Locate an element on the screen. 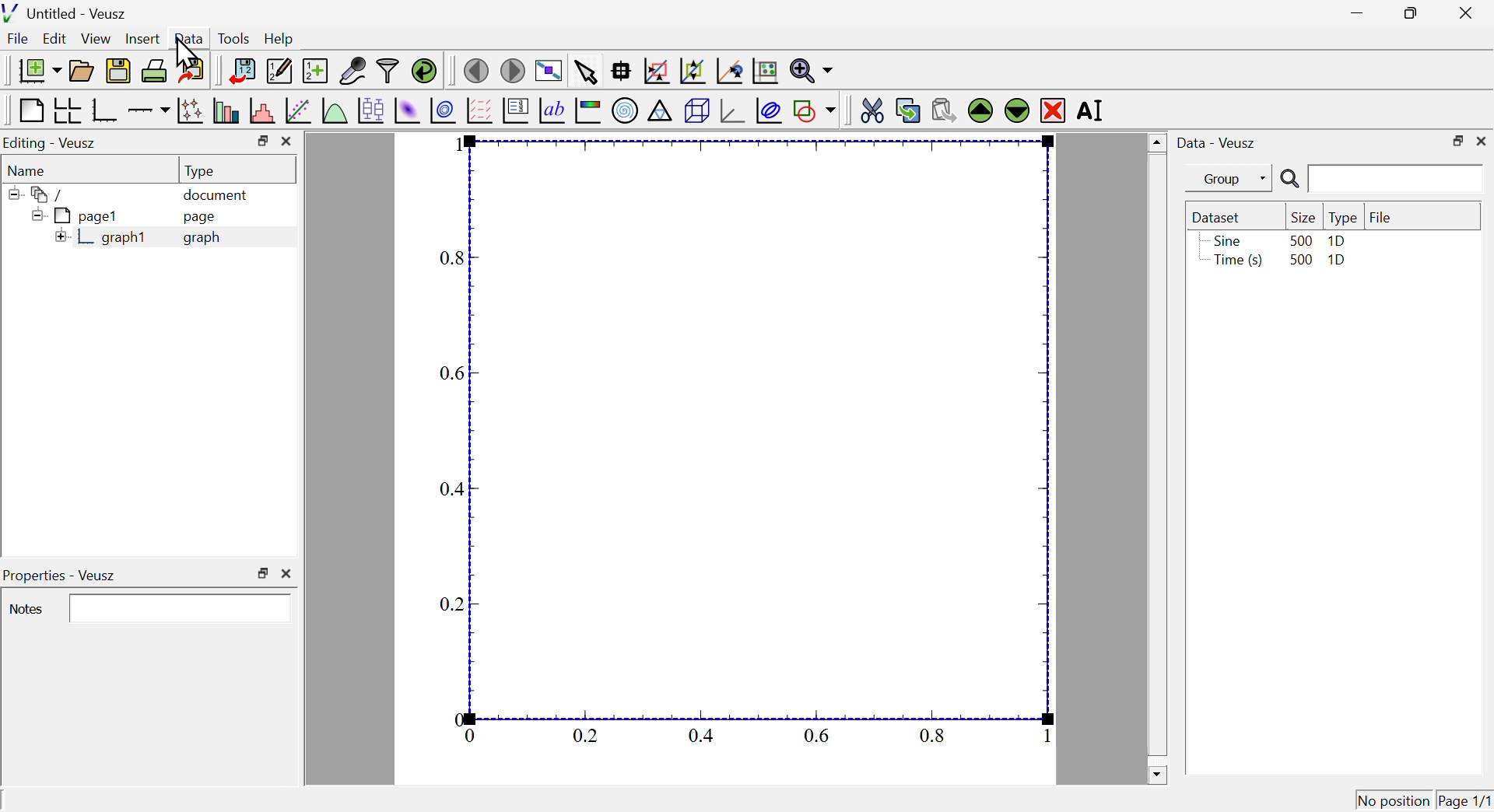  create new data sets using ranges is located at coordinates (315, 69).